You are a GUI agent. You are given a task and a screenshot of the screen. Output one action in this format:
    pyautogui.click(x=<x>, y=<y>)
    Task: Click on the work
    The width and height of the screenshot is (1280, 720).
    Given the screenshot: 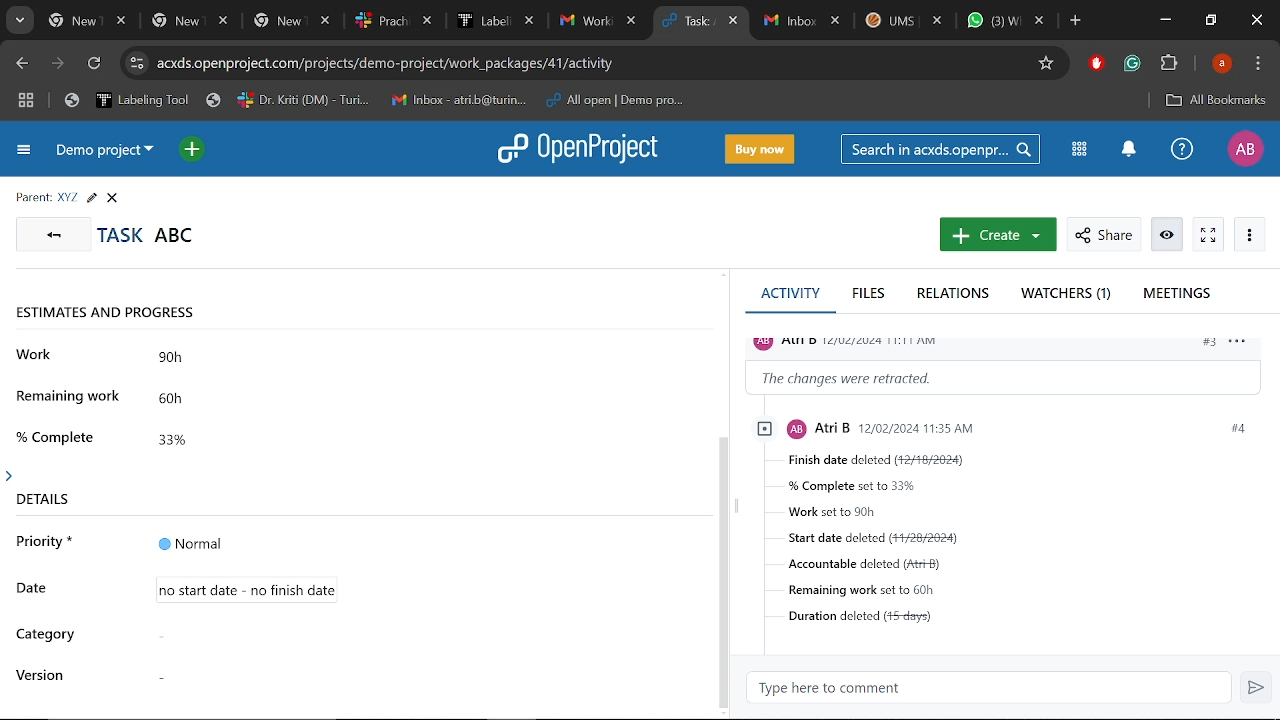 What is the action you would take?
    pyautogui.click(x=37, y=354)
    